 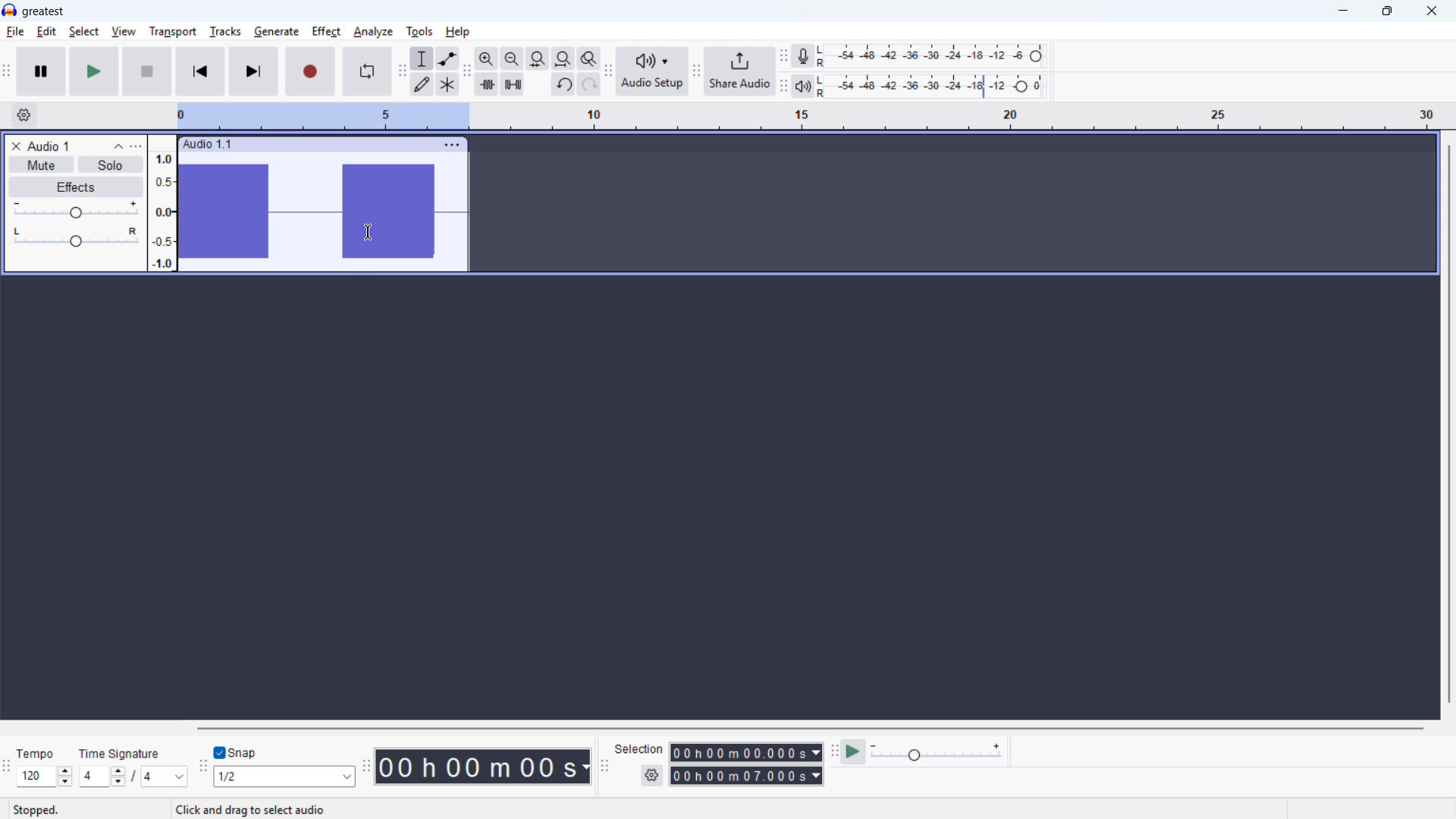 I want to click on Skip to start , so click(x=200, y=71).